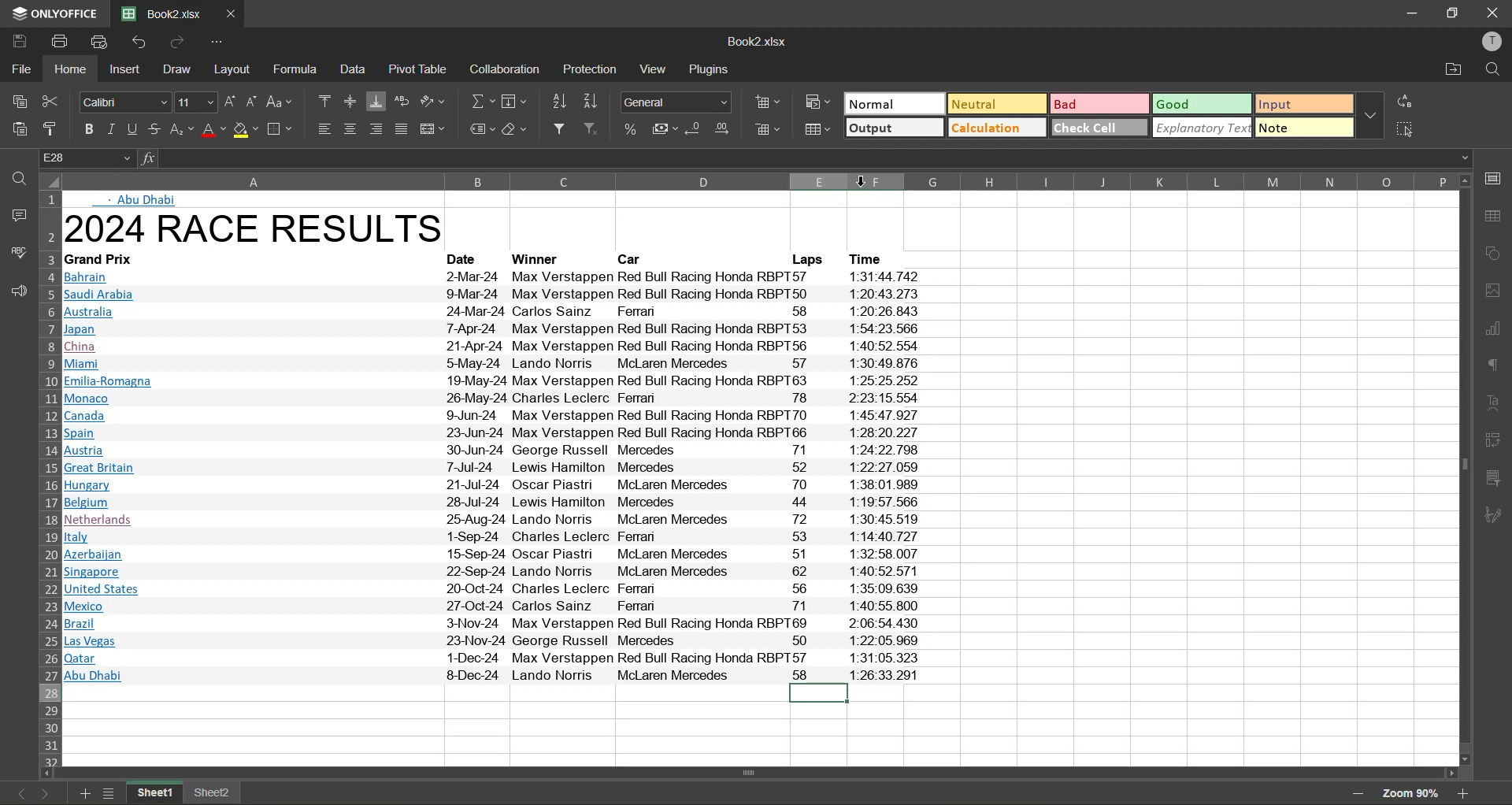 This screenshot has height=805, width=1512. Describe the element at coordinates (49, 14) in the screenshot. I see `app name: only office` at that location.